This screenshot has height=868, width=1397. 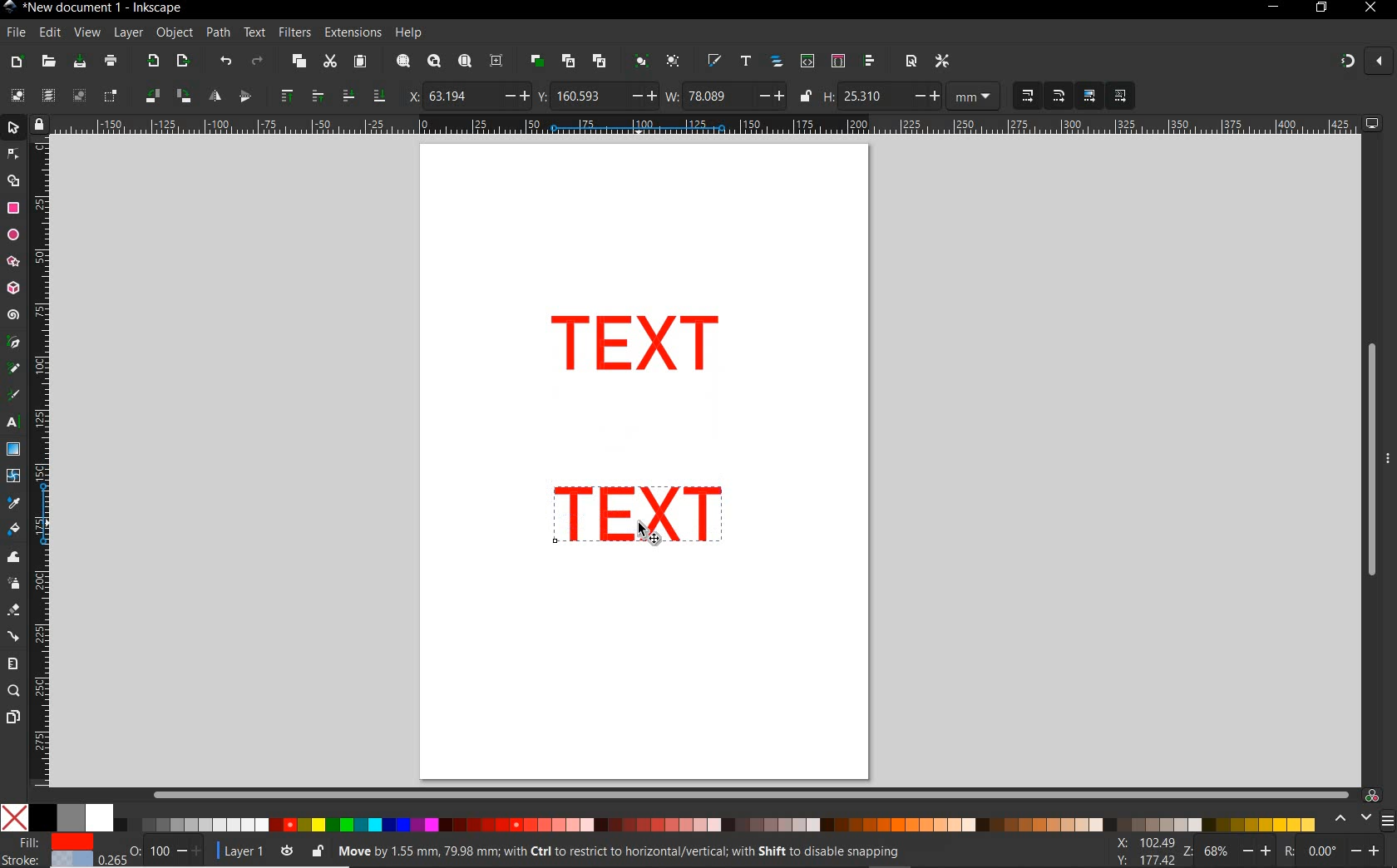 What do you see at coordinates (329, 62) in the screenshot?
I see `cut` at bounding box center [329, 62].